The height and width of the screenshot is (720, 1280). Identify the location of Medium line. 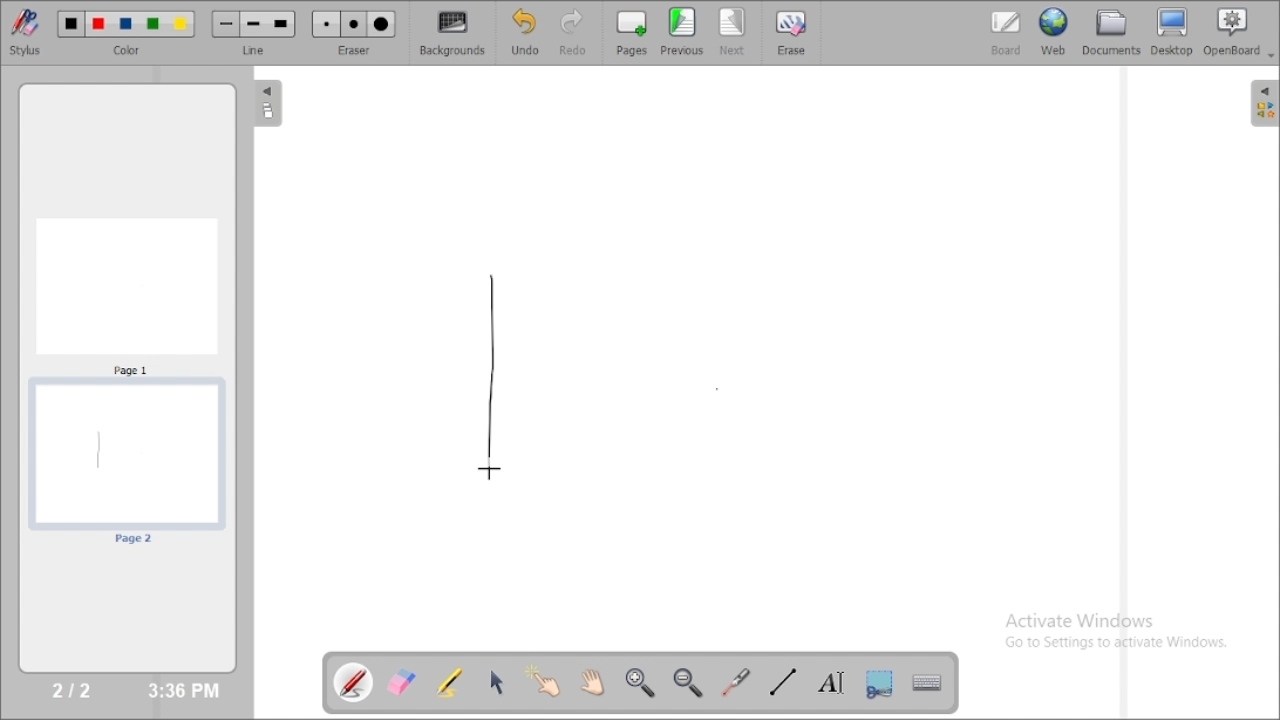
(255, 24).